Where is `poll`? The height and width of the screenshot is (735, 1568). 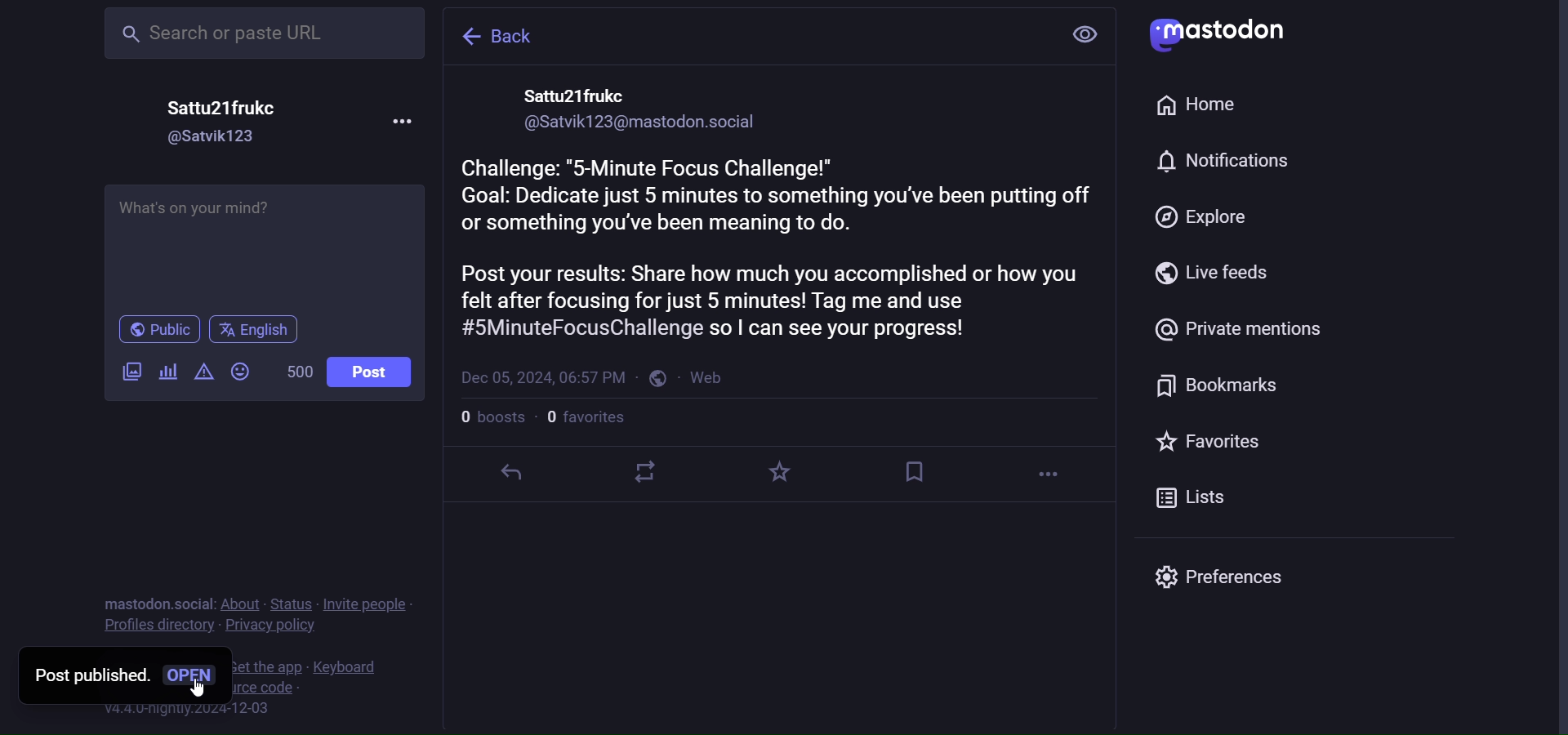
poll is located at coordinates (171, 372).